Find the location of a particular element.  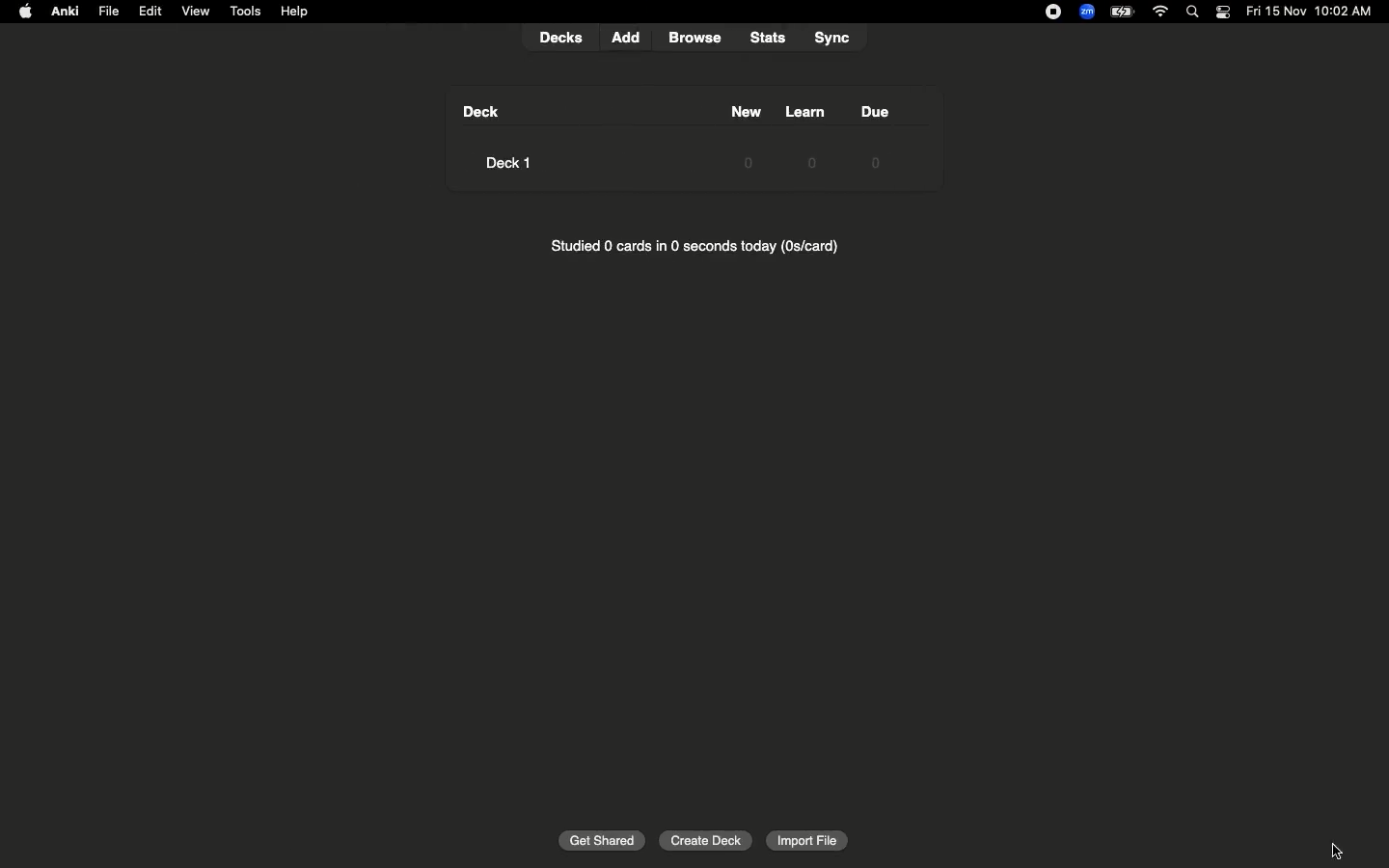

date and time is located at coordinates (1315, 11).